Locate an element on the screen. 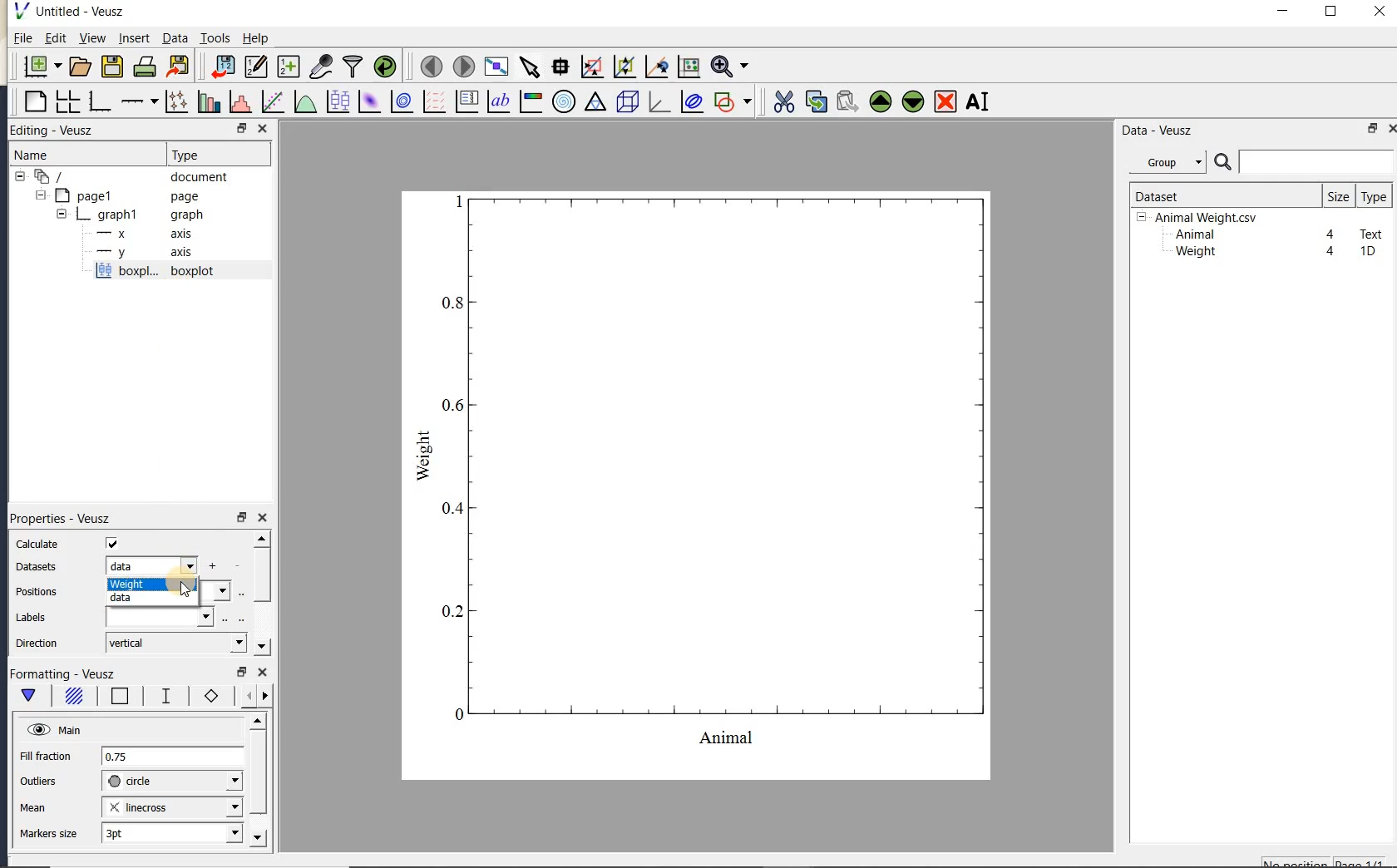 The height and width of the screenshot is (868, 1397). Animalweight.csv is located at coordinates (1201, 218).